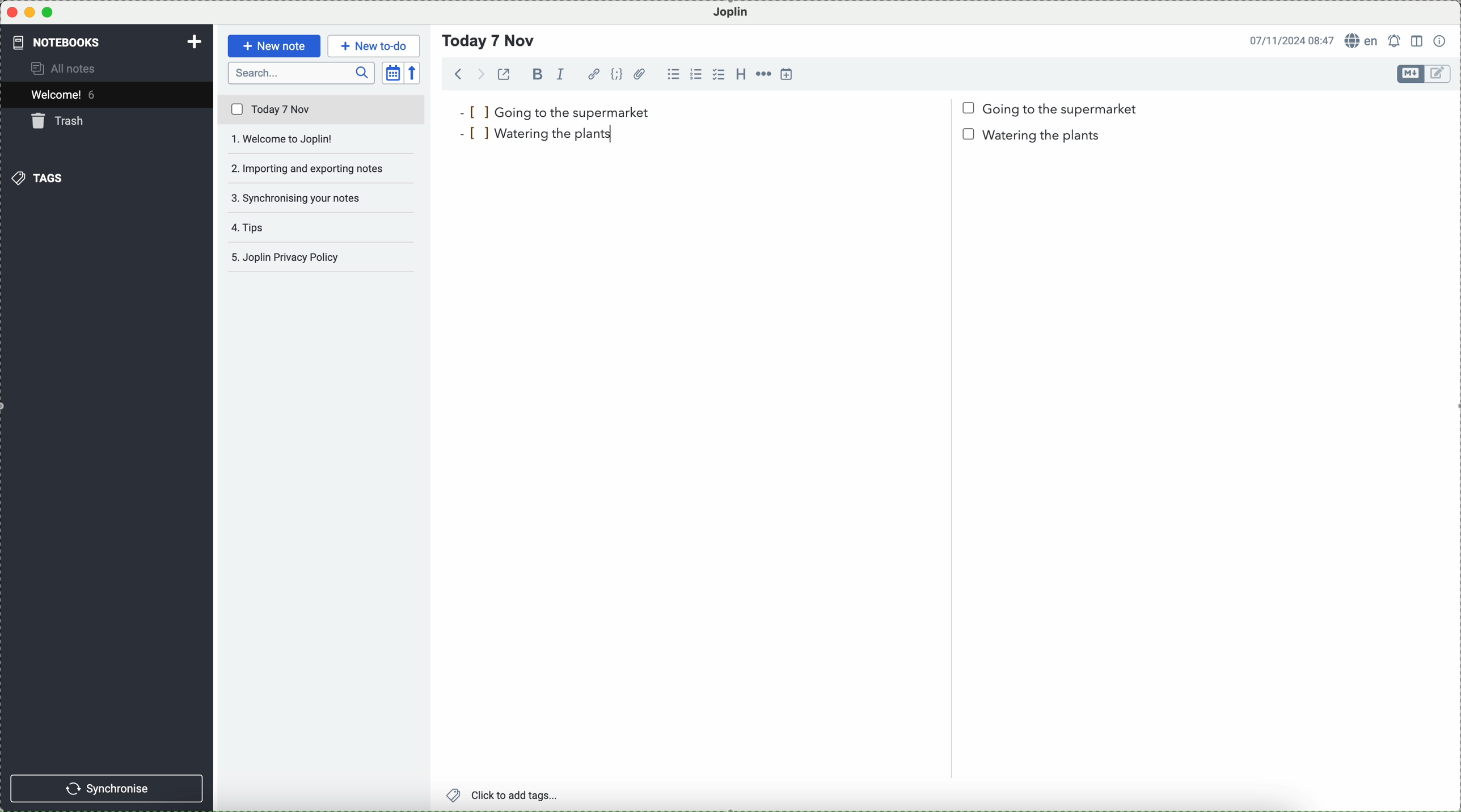 The image size is (1461, 812). Describe the element at coordinates (504, 796) in the screenshot. I see `add tags` at that location.